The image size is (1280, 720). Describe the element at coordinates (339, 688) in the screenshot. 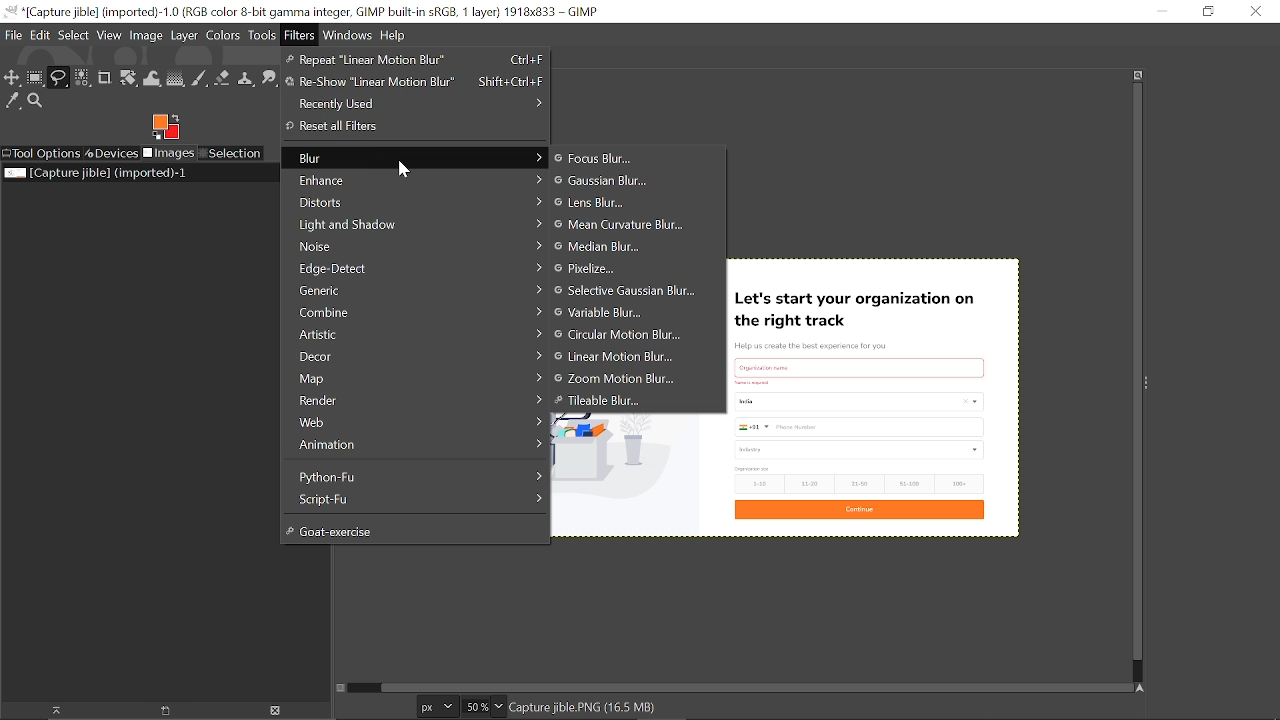

I see `Toggle quick mask on/off` at that location.